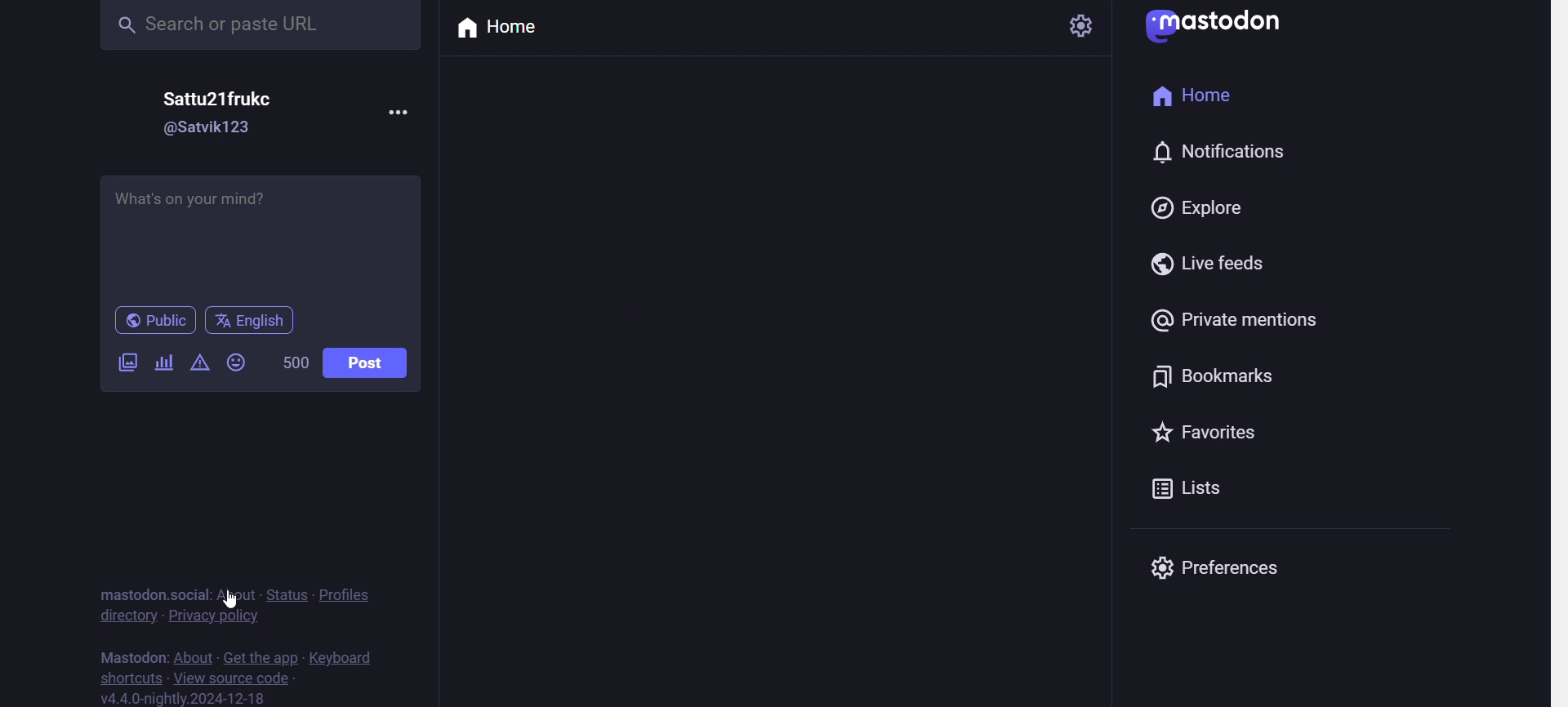  I want to click on explore, so click(1201, 208).